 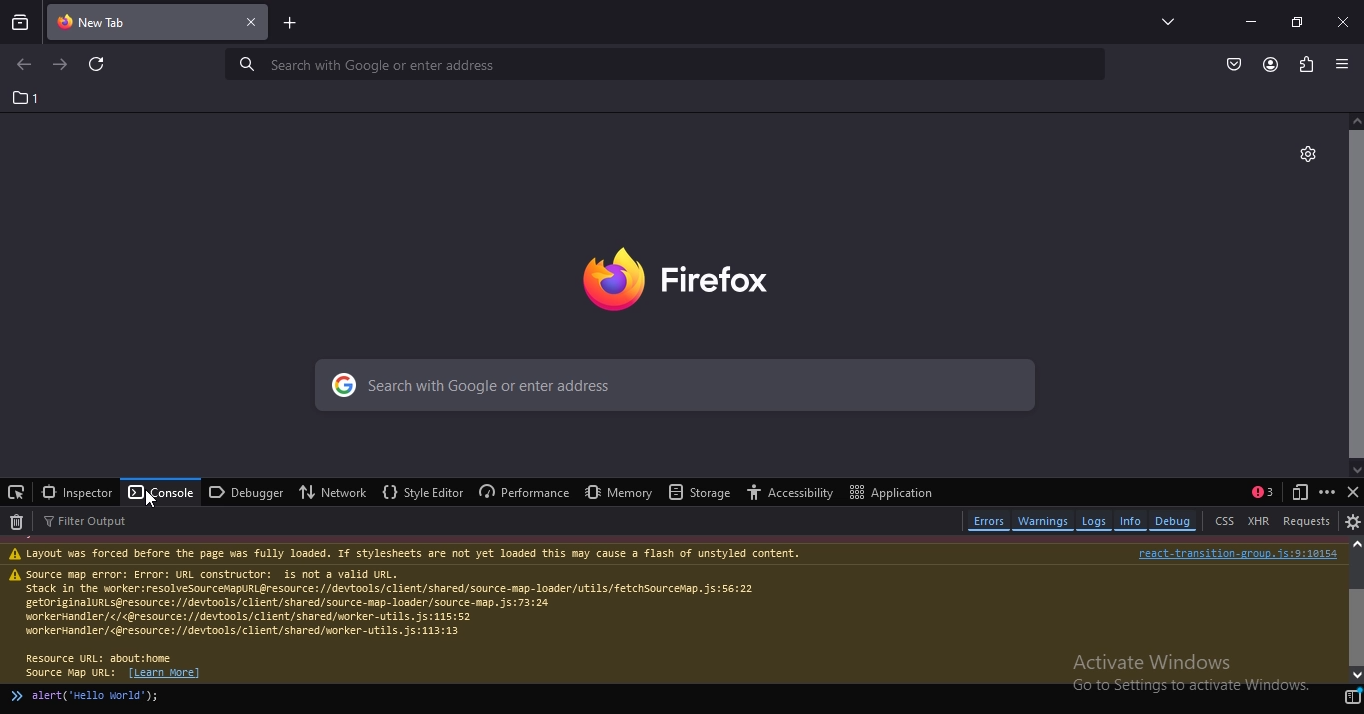 I want to click on customize developer tools and get help, so click(x=1328, y=492).